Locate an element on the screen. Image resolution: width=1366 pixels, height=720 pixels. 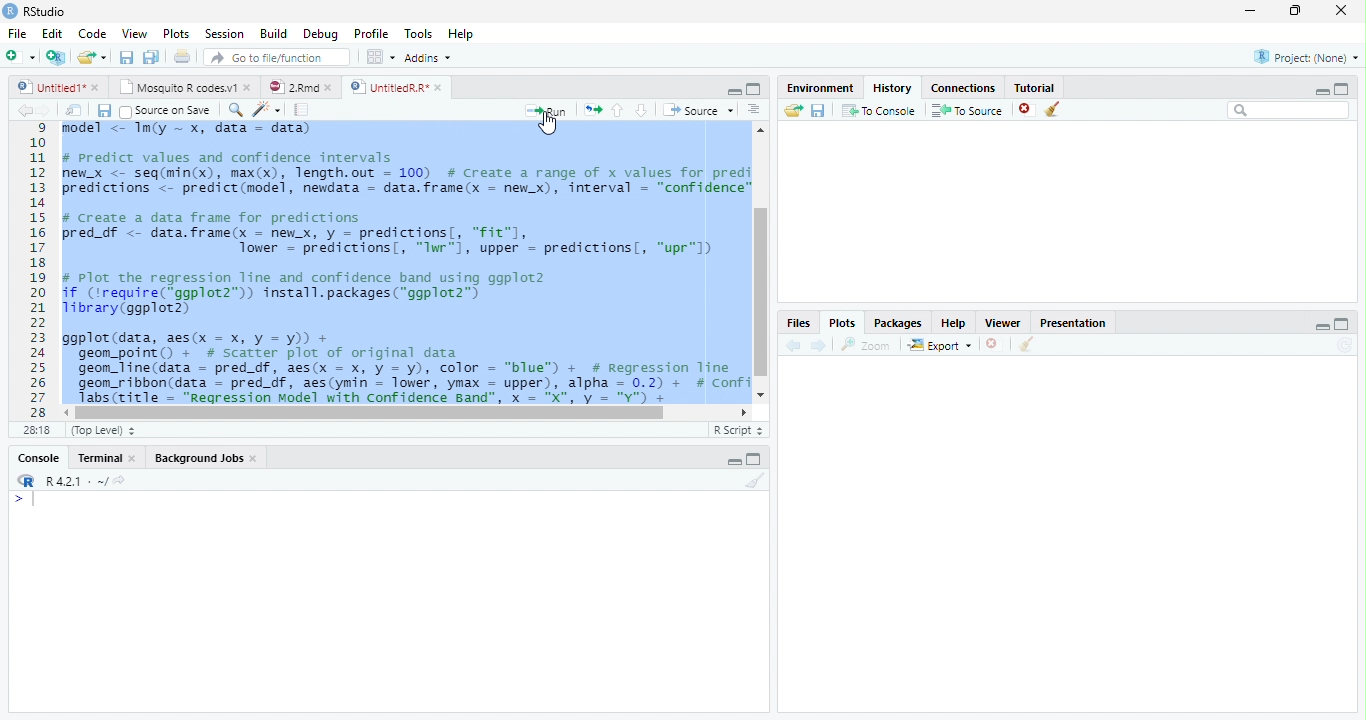
Pages is located at coordinates (305, 111).